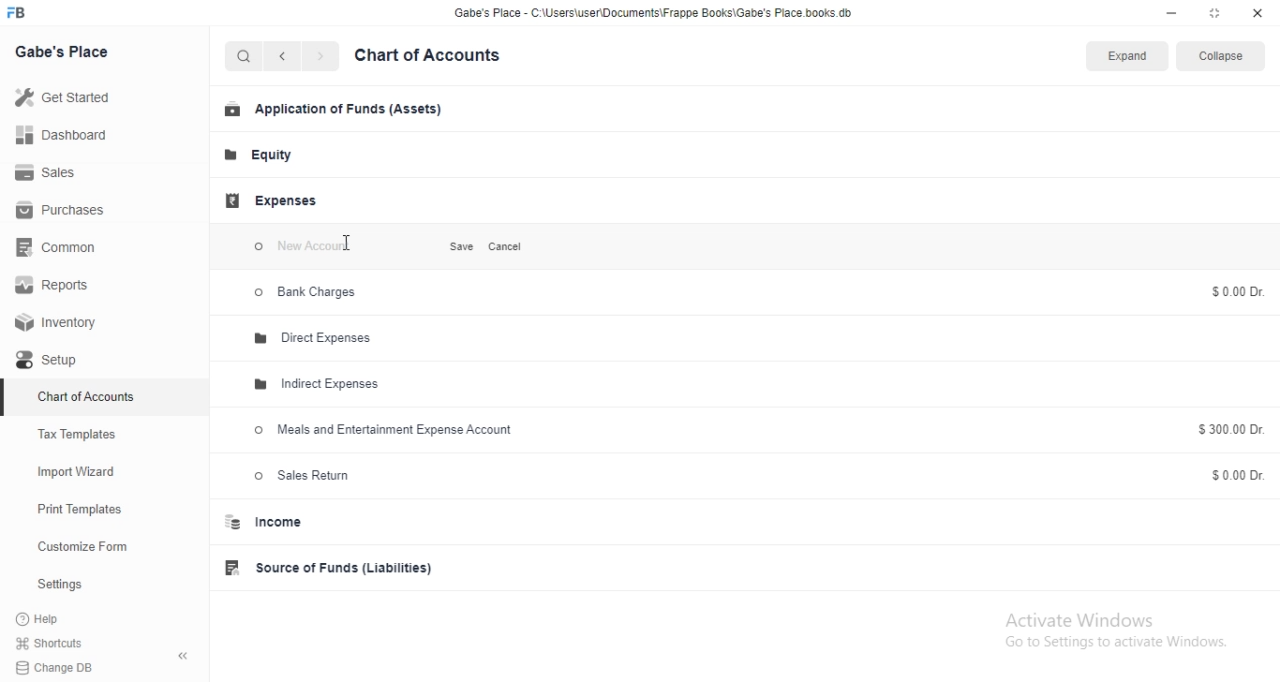 Image resolution: width=1280 pixels, height=682 pixels. I want to click on Source of Funds (Liabilities), so click(334, 568).